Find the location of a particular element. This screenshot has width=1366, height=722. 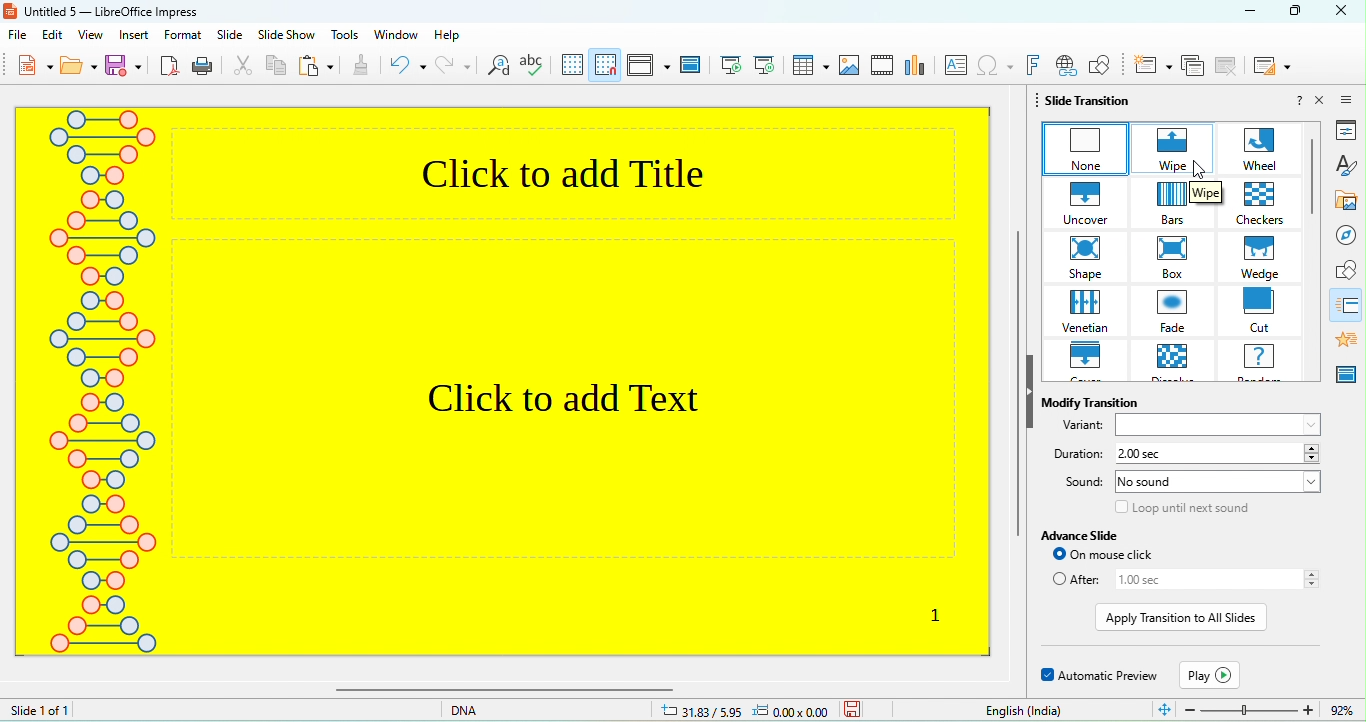

random is located at coordinates (1264, 360).